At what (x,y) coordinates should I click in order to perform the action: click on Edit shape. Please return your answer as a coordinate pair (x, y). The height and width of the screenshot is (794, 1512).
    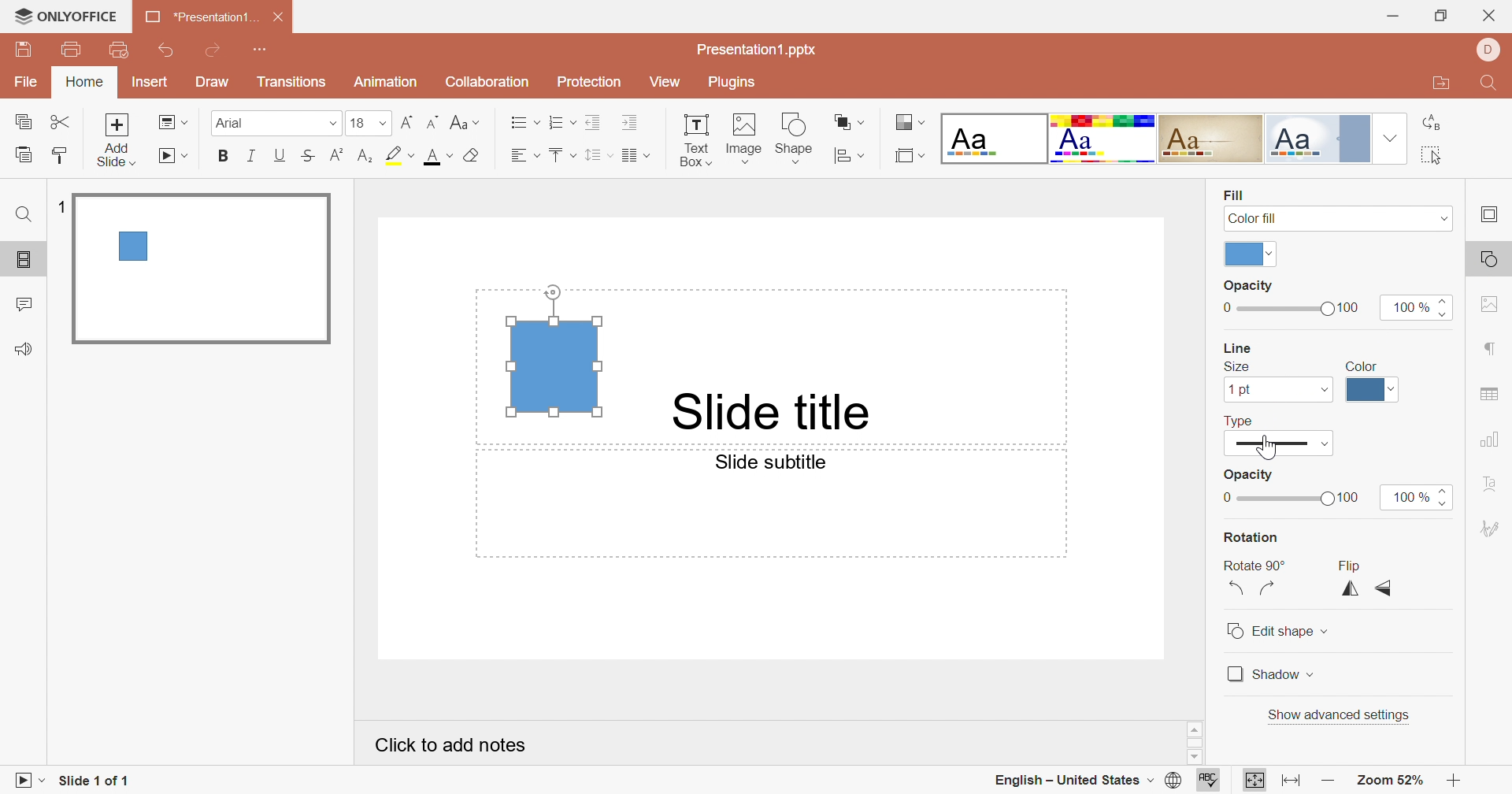
    Looking at the image, I should click on (1269, 631).